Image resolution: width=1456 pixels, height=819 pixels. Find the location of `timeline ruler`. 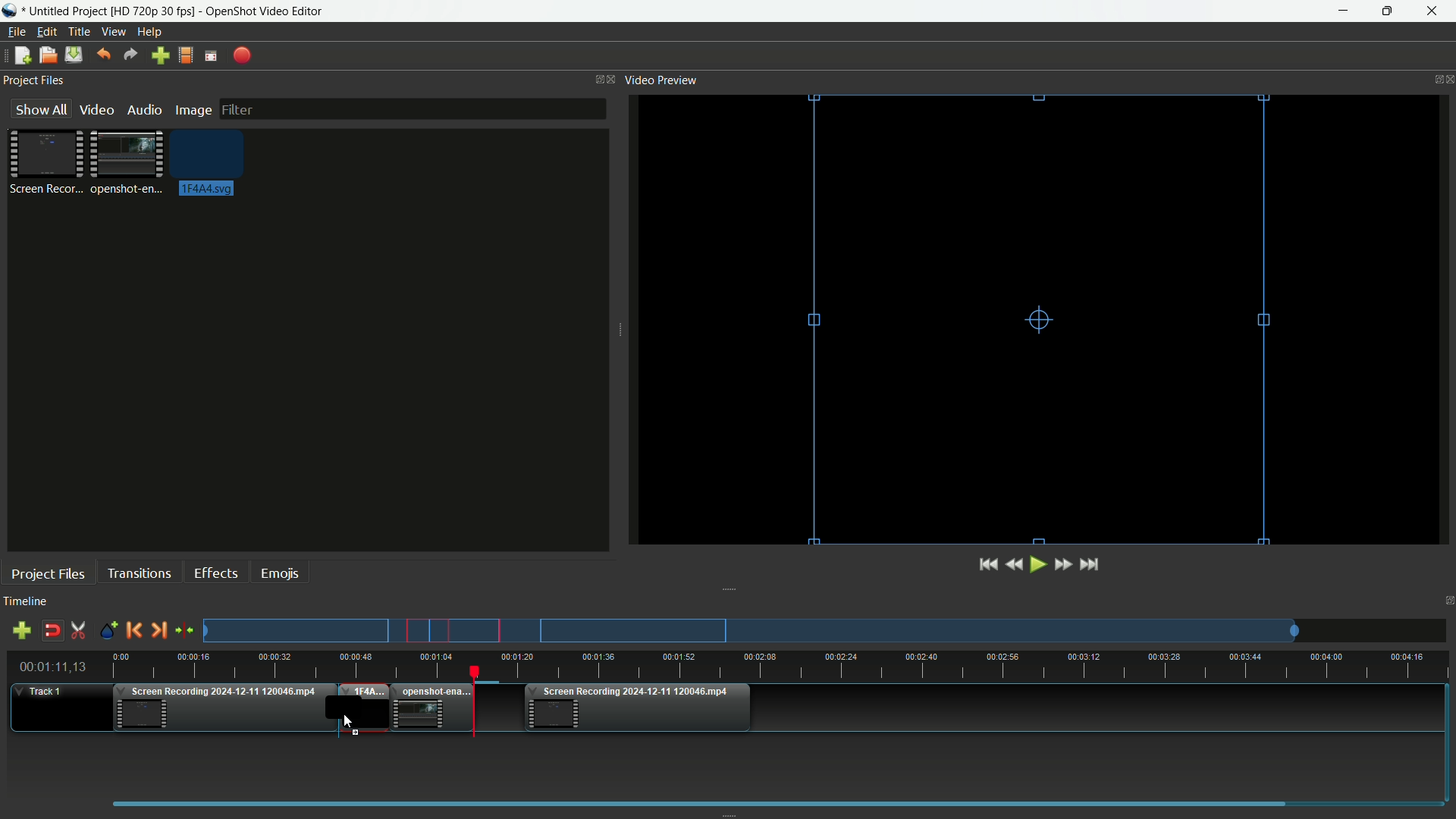

timeline ruler is located at coordinates (781, 667).